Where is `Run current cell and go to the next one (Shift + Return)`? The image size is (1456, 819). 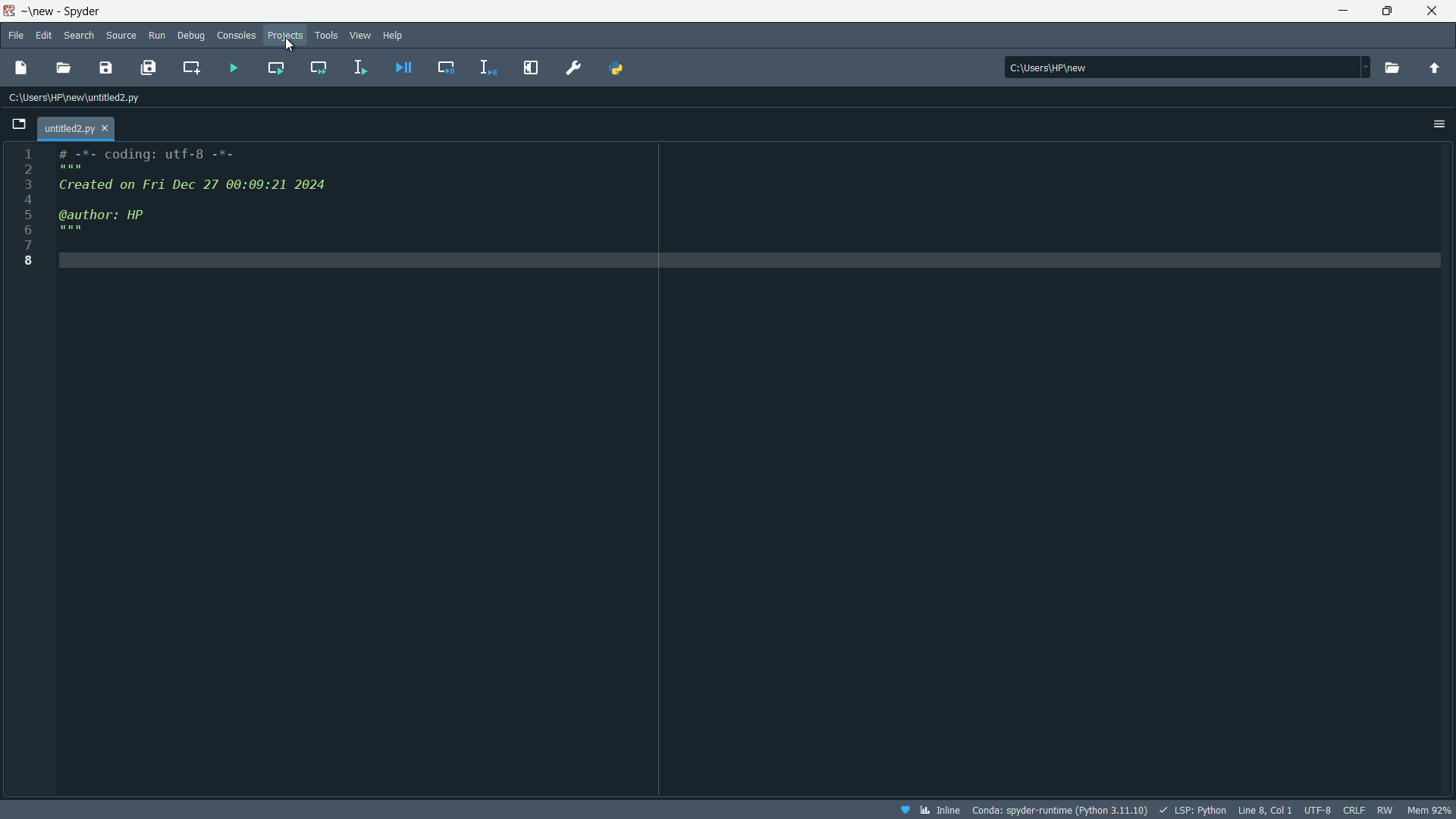 Run current cell and go to the next one (Shift + Return) is located at coordinates (320, 67).